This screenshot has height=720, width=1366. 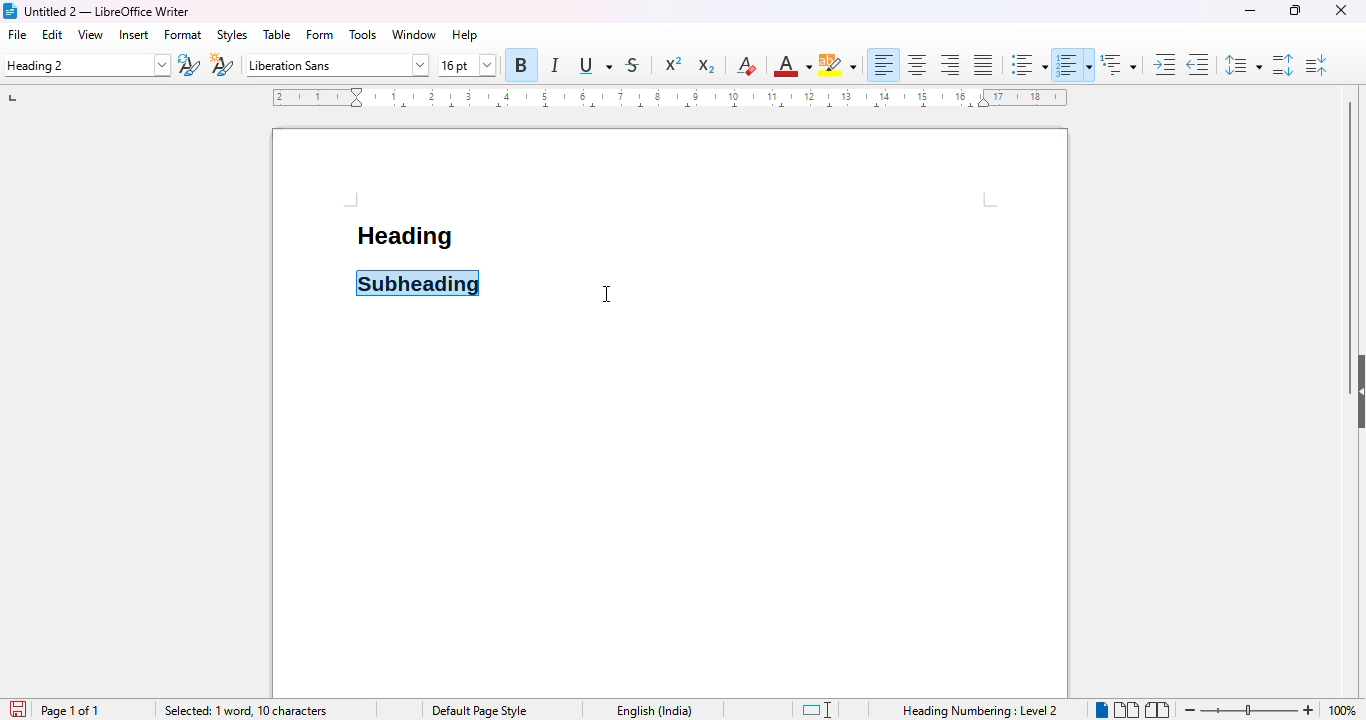 What do you see at coordinates (633, 66) in the screenshot?
I see `strikethrough` at bounding box center [633, 66].